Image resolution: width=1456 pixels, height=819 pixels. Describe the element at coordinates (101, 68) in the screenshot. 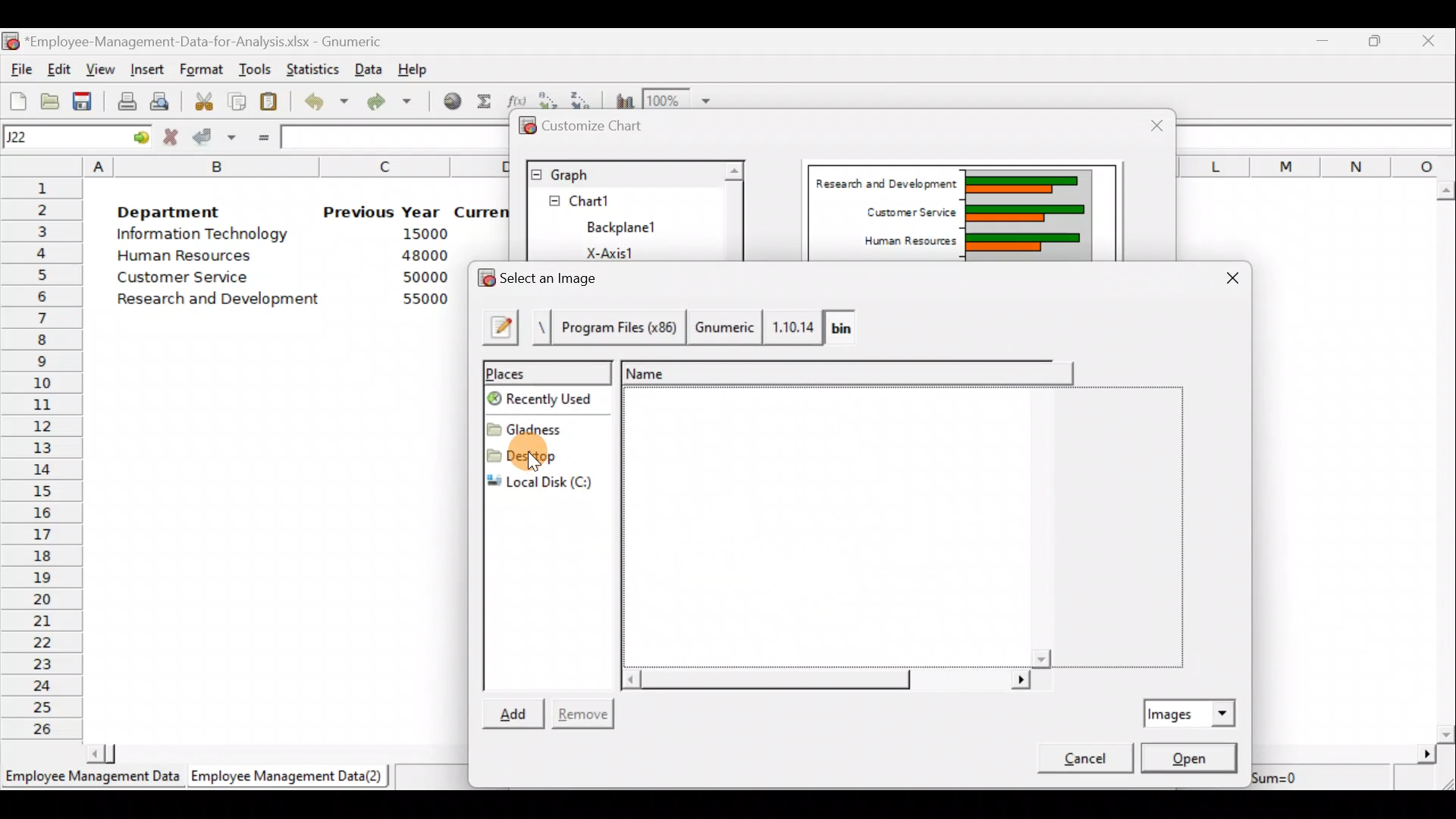

I see `View` at that location.